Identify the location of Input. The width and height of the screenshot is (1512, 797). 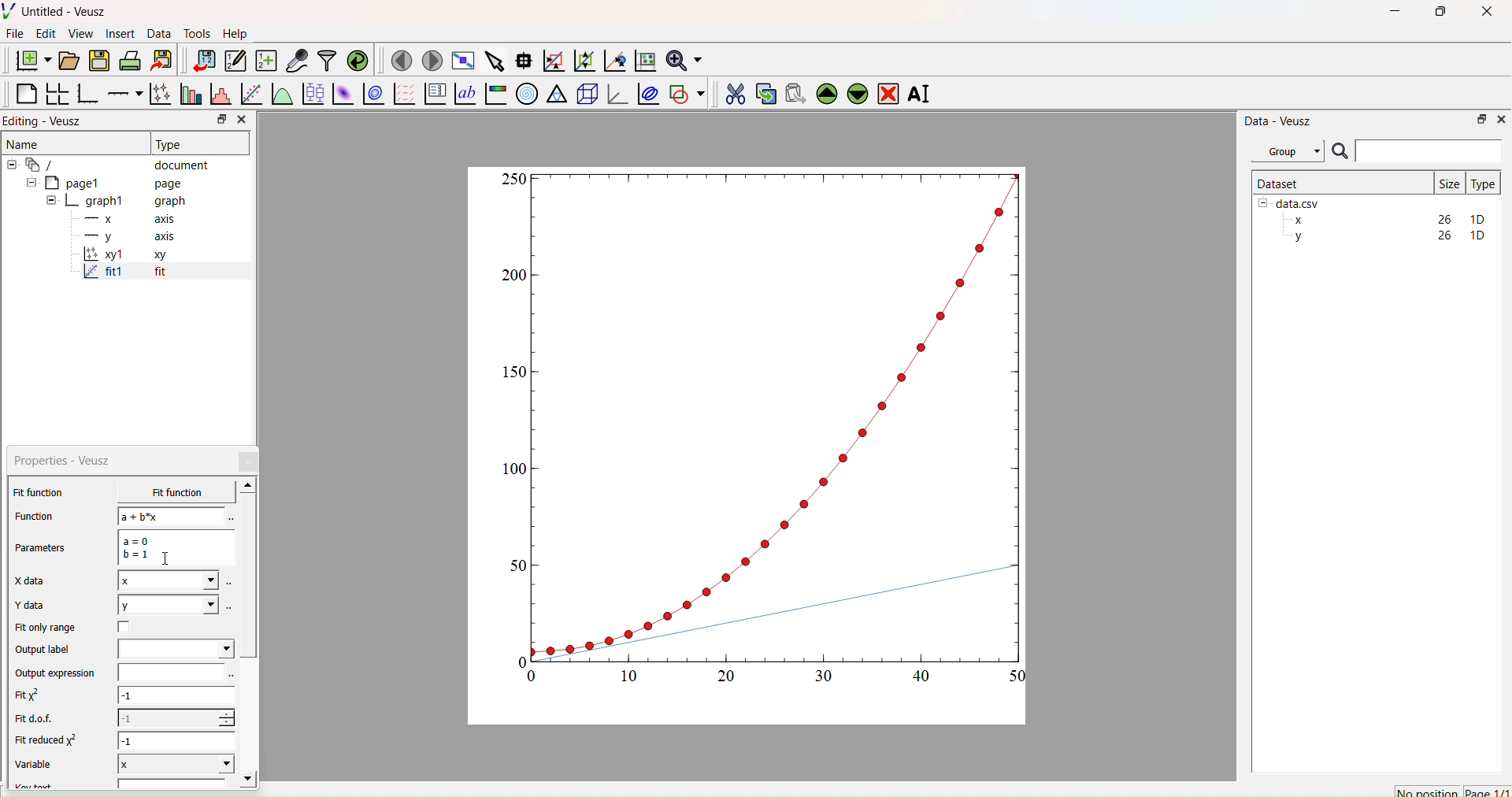
(1429, 150).